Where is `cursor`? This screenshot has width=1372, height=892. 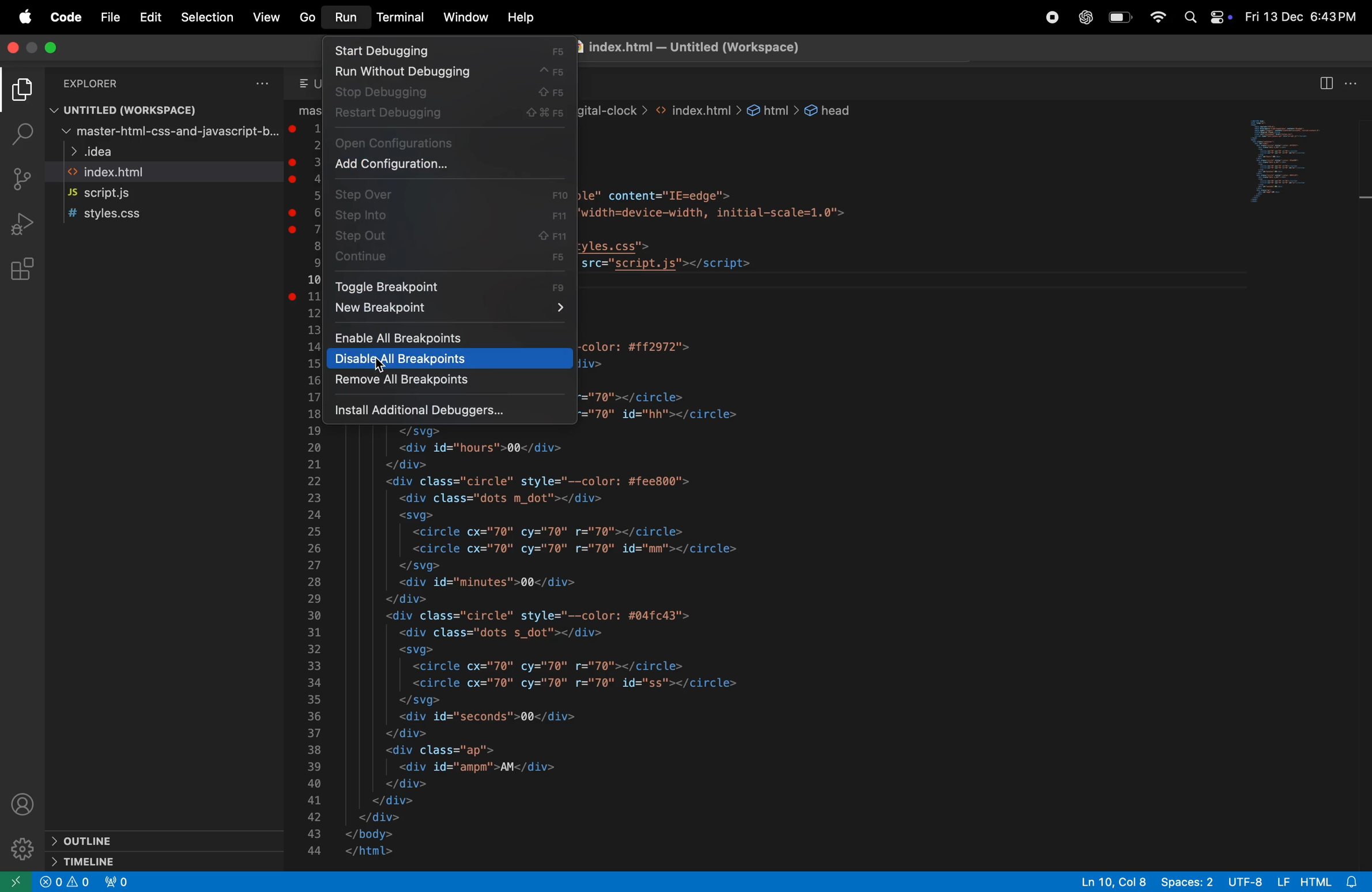 cursor is located at coordinates (380, 360).